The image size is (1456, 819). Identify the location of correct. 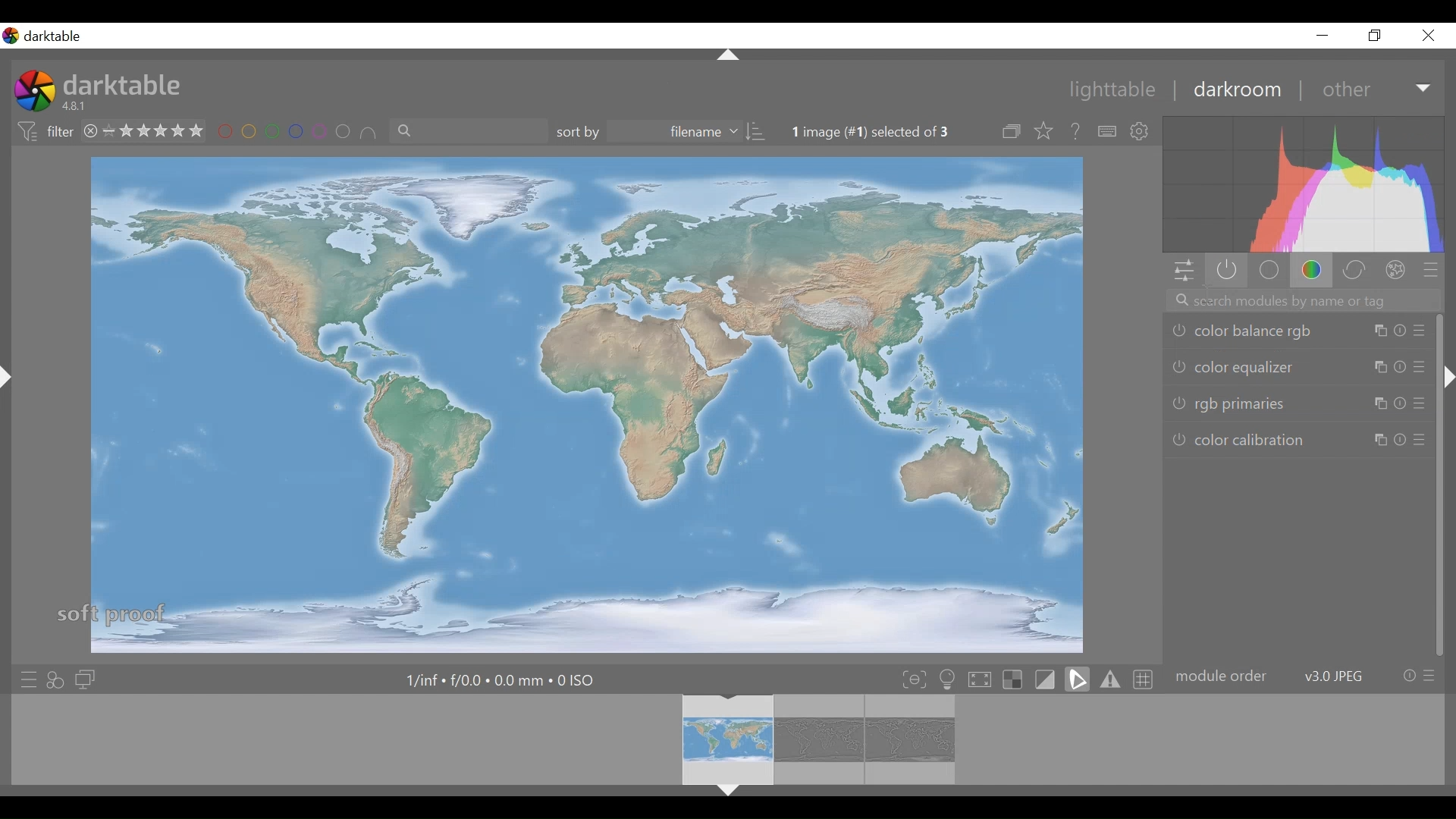
(1355, 270).